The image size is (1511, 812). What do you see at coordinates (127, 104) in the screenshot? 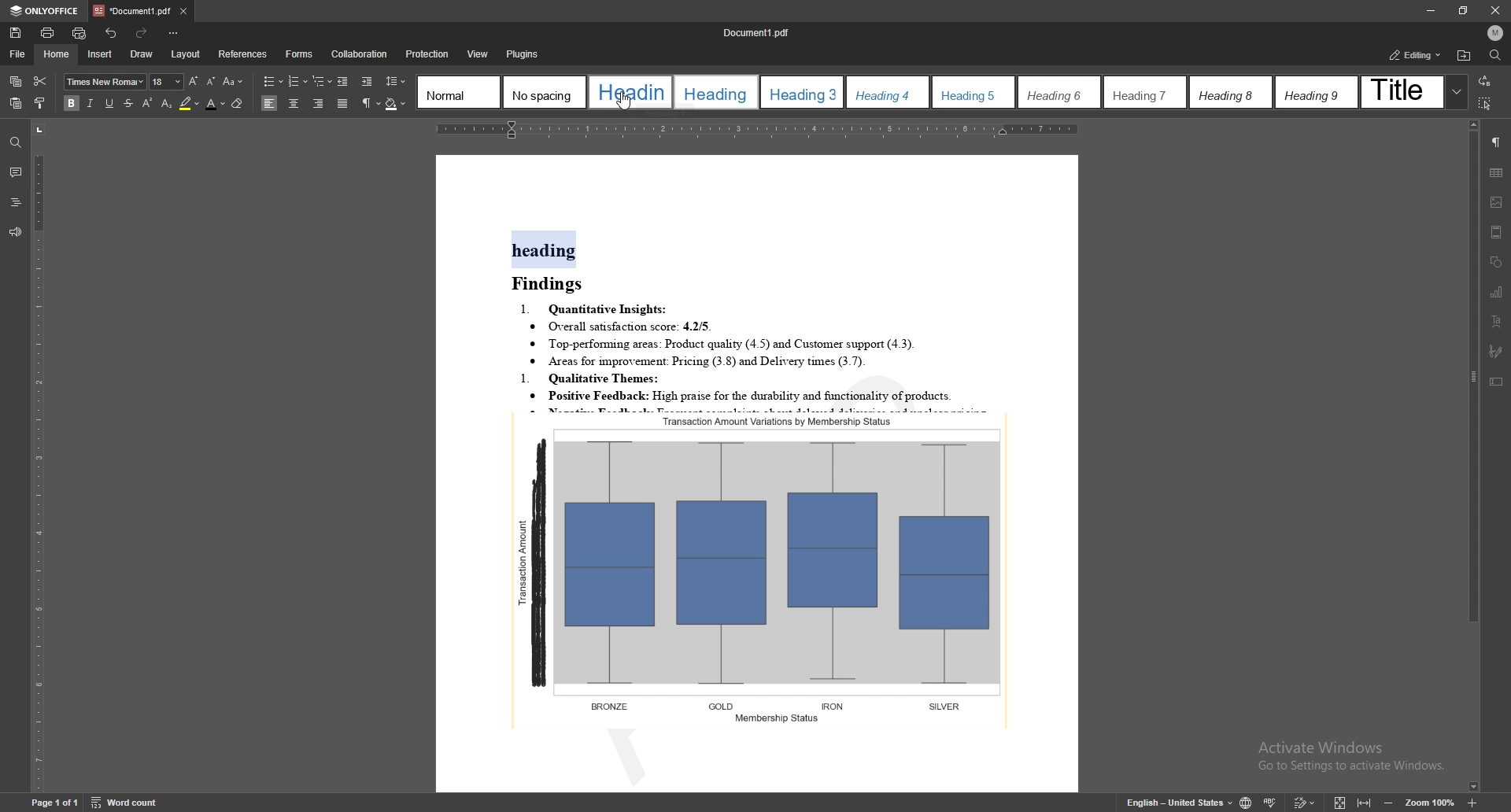
I see `strikethrough` at bounding box center [127, 104].